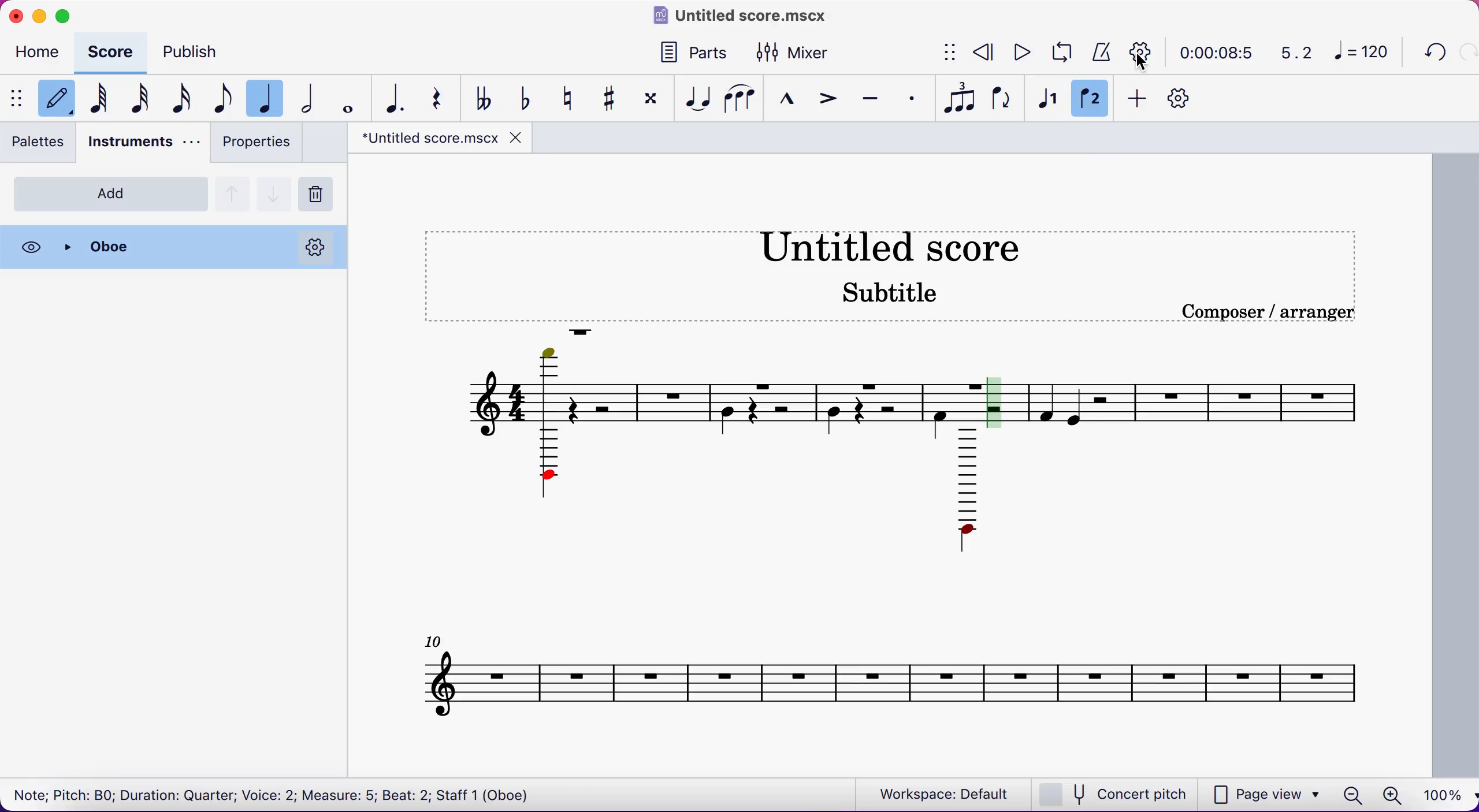 The image size is (1479, 812). I want to click on play, so click(1021, 51).